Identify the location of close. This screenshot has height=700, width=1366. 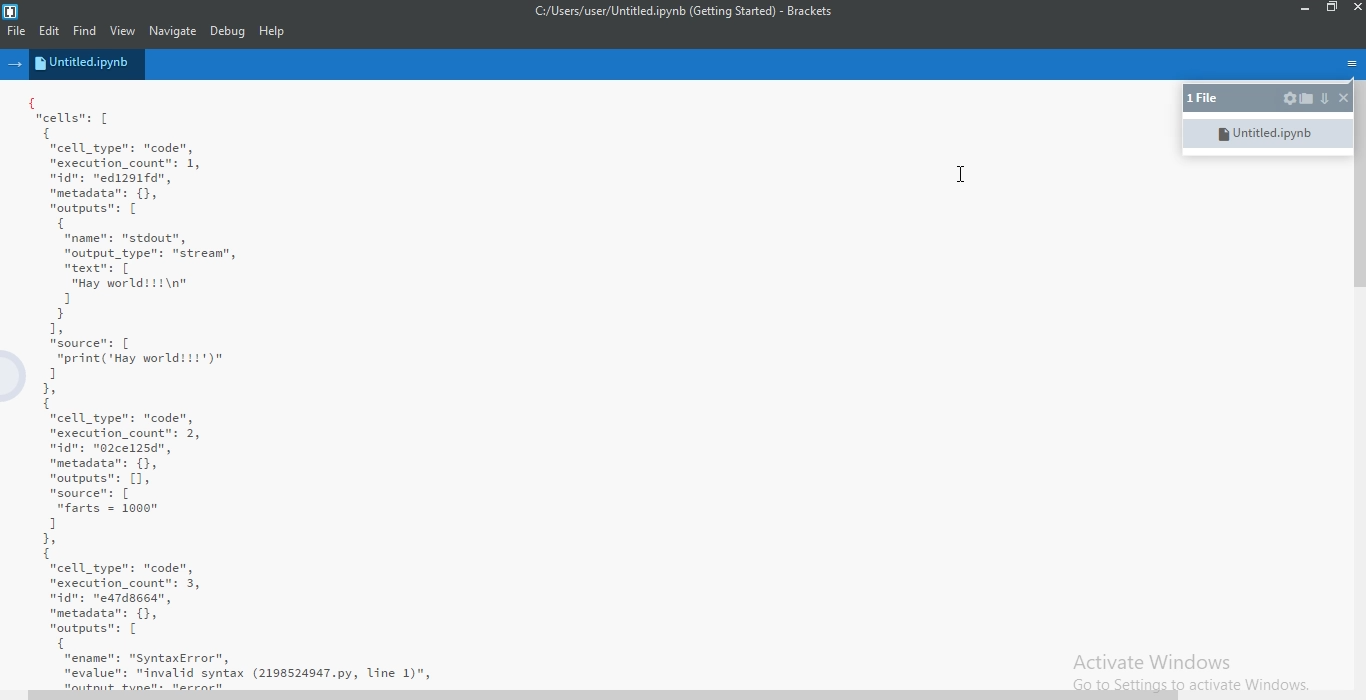
(1342, 98).